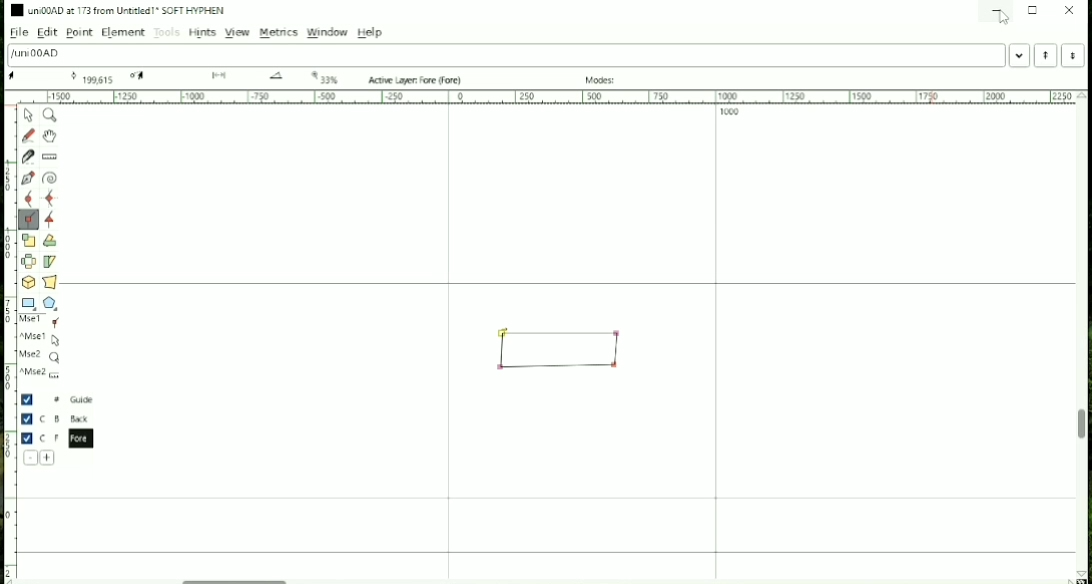 The image size is (1092, 584). Describe the element at coordinates (279, 33) in the screenshot. I see `Metrics` at that location.